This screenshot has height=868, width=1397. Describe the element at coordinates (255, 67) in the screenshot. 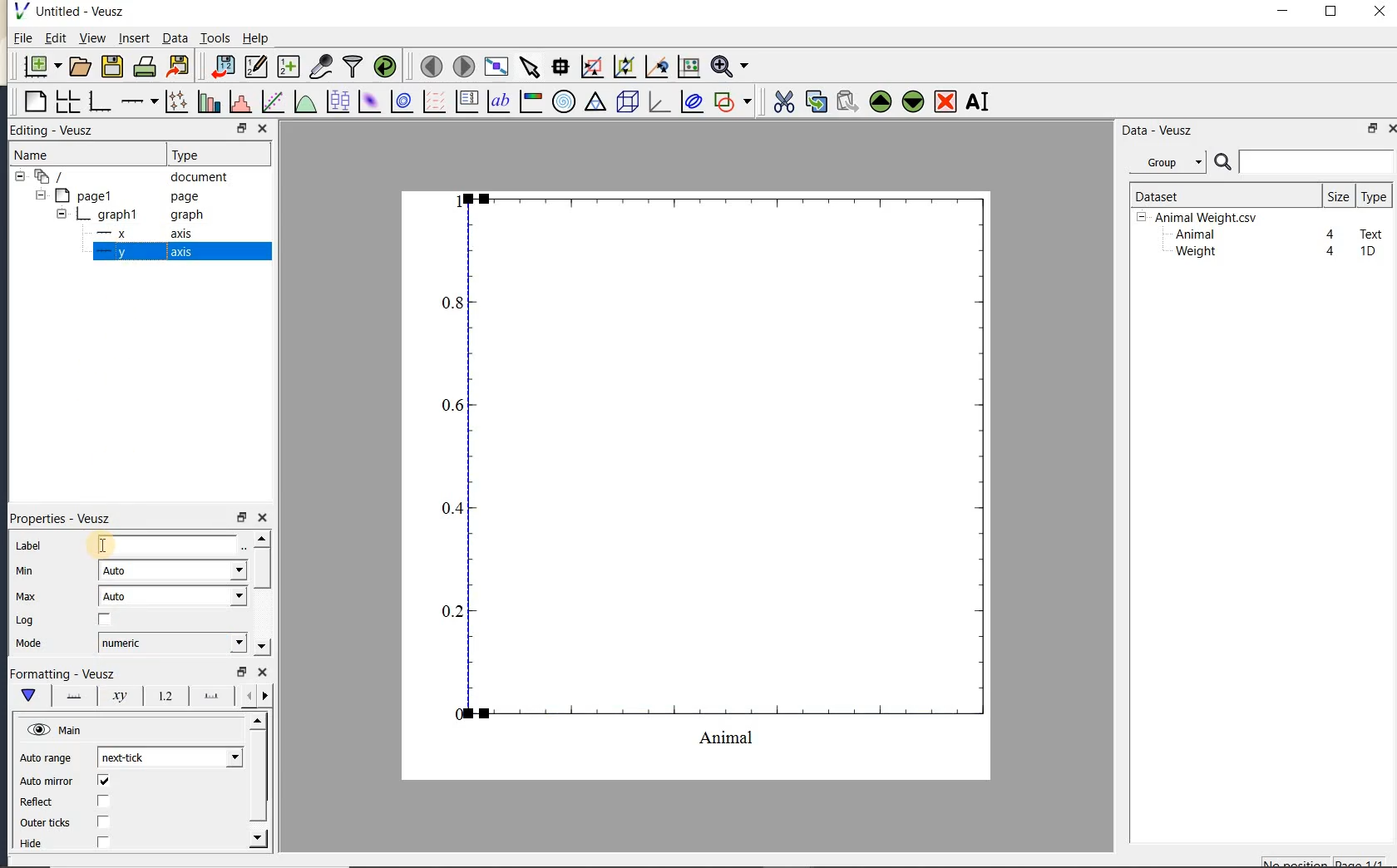

I see `edit and enter new datasets` at that location.